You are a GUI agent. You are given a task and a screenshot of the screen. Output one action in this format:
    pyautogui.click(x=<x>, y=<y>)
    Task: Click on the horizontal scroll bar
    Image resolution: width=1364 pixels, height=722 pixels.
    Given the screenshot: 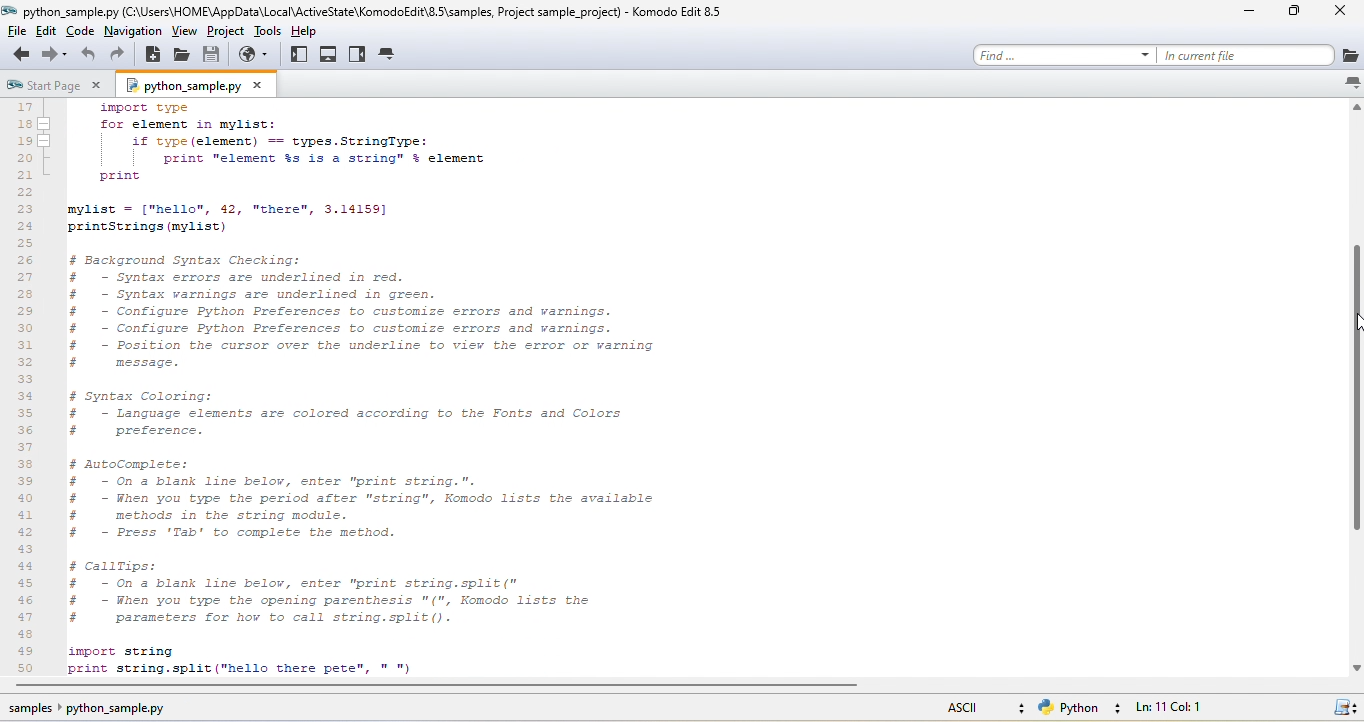 What is the action you would take?
    pyautogui.click(x=438, y=687)
    